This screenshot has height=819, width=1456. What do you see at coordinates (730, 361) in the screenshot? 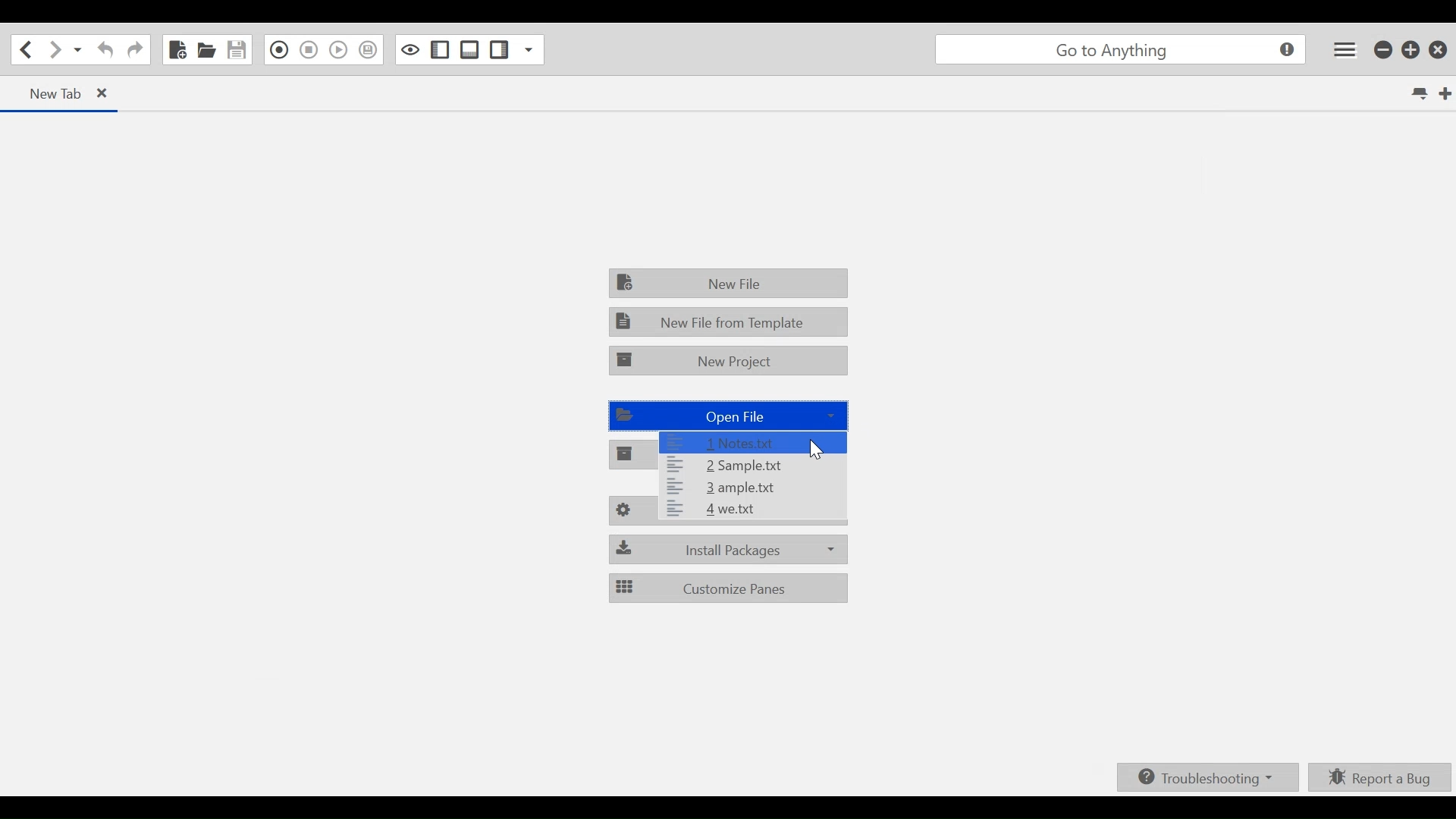
I see `New Project` at bounding box center [730, 361].